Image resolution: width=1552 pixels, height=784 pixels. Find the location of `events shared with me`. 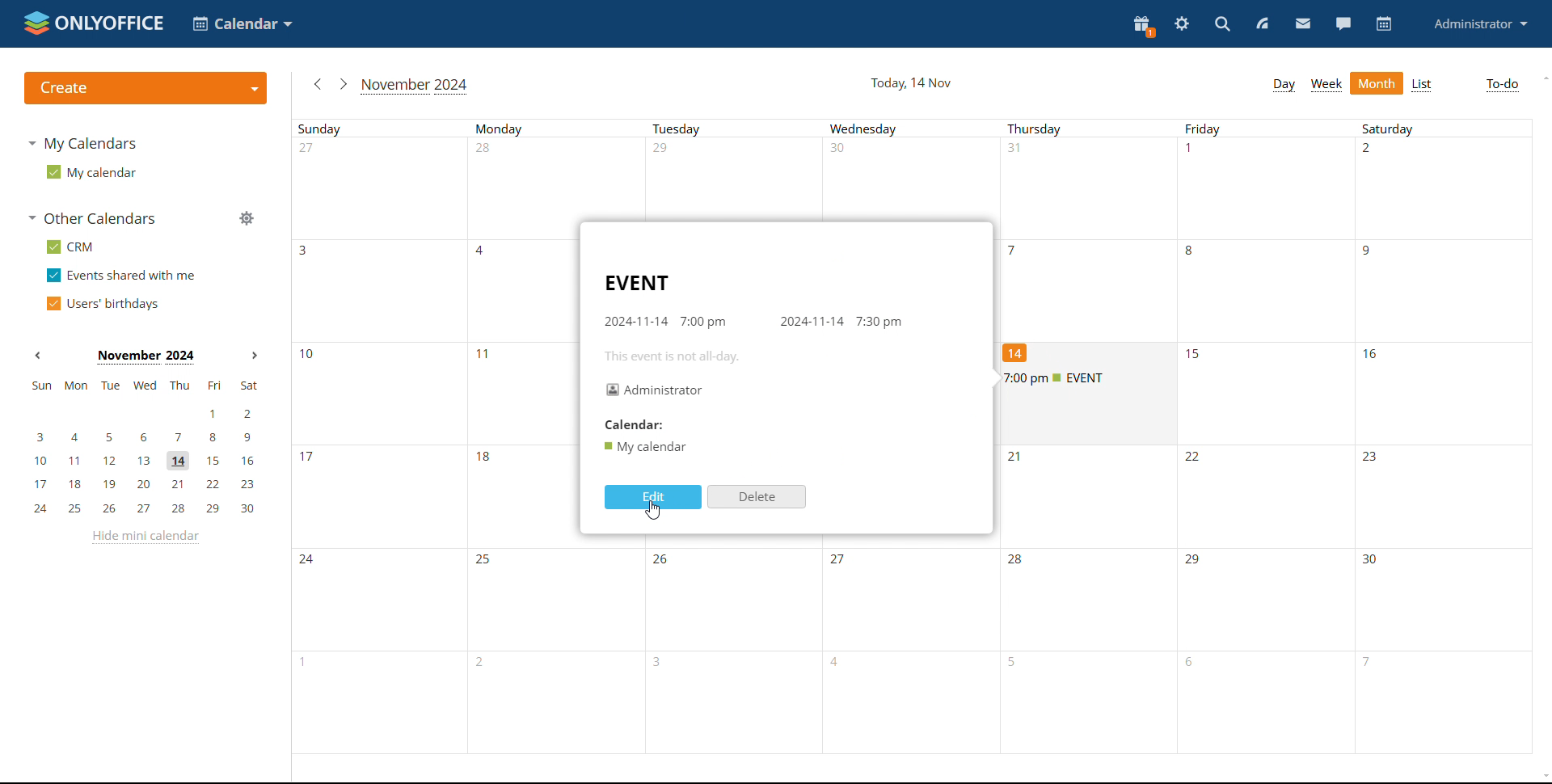

events shared with me is located at coordinates (123, 276).